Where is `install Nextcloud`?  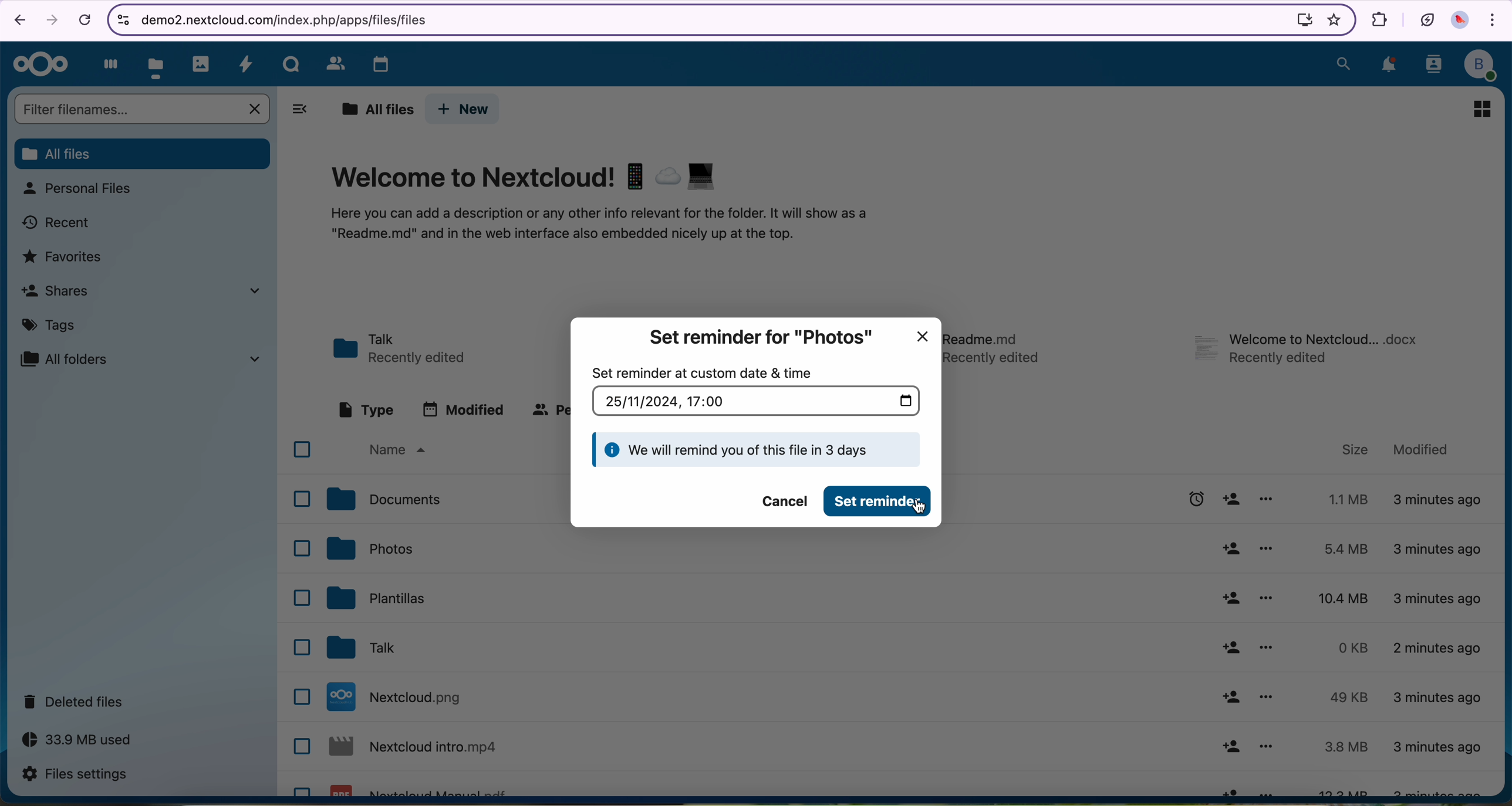 install Nextcloud is located at coordinates (1300, 21).